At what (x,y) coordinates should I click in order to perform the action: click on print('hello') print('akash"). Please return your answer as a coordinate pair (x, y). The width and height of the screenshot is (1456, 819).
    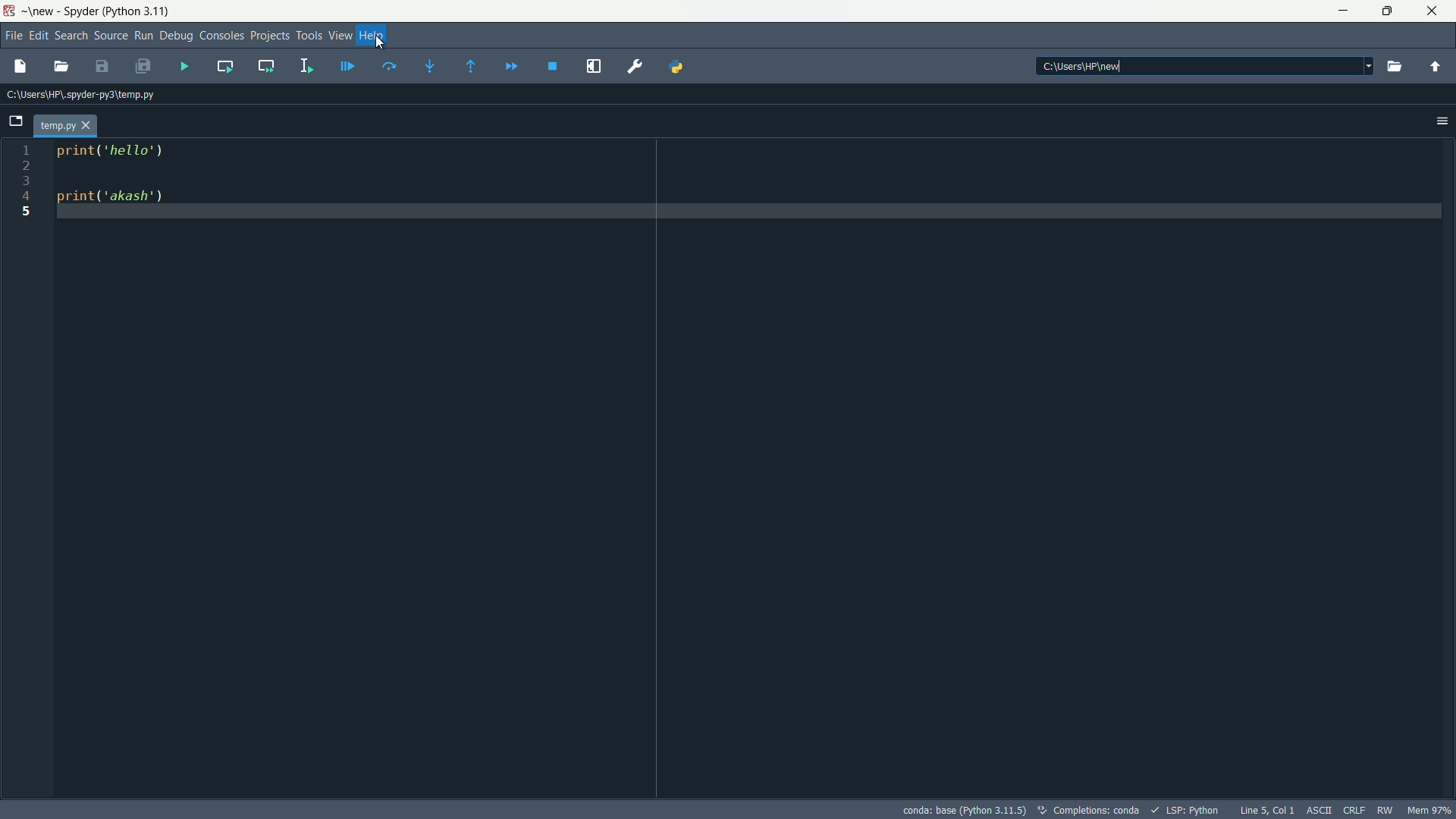
    Looking at the image, I should click on (747, 466).